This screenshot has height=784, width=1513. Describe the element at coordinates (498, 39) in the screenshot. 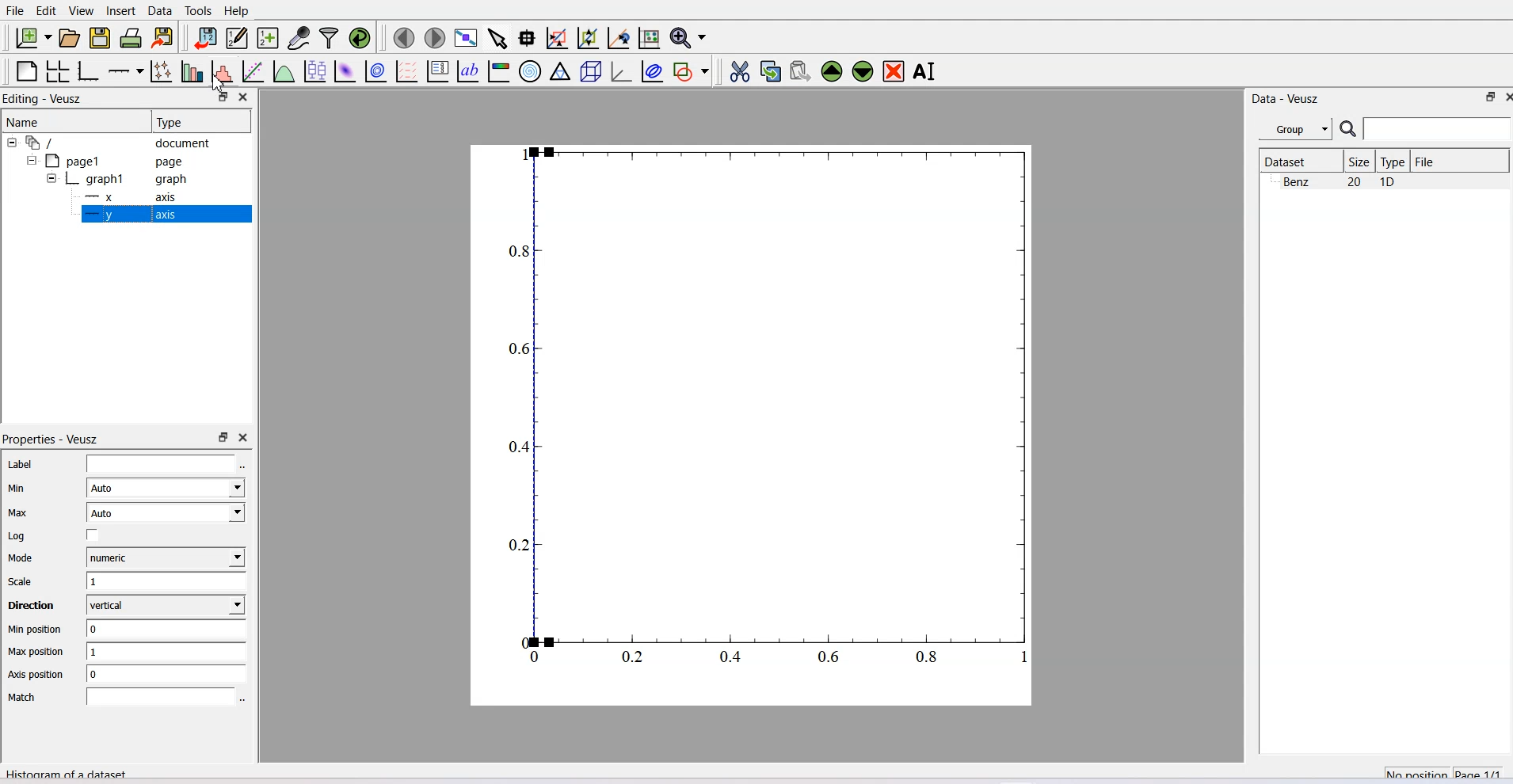

I see `Select items from graph or scroll` at that location.